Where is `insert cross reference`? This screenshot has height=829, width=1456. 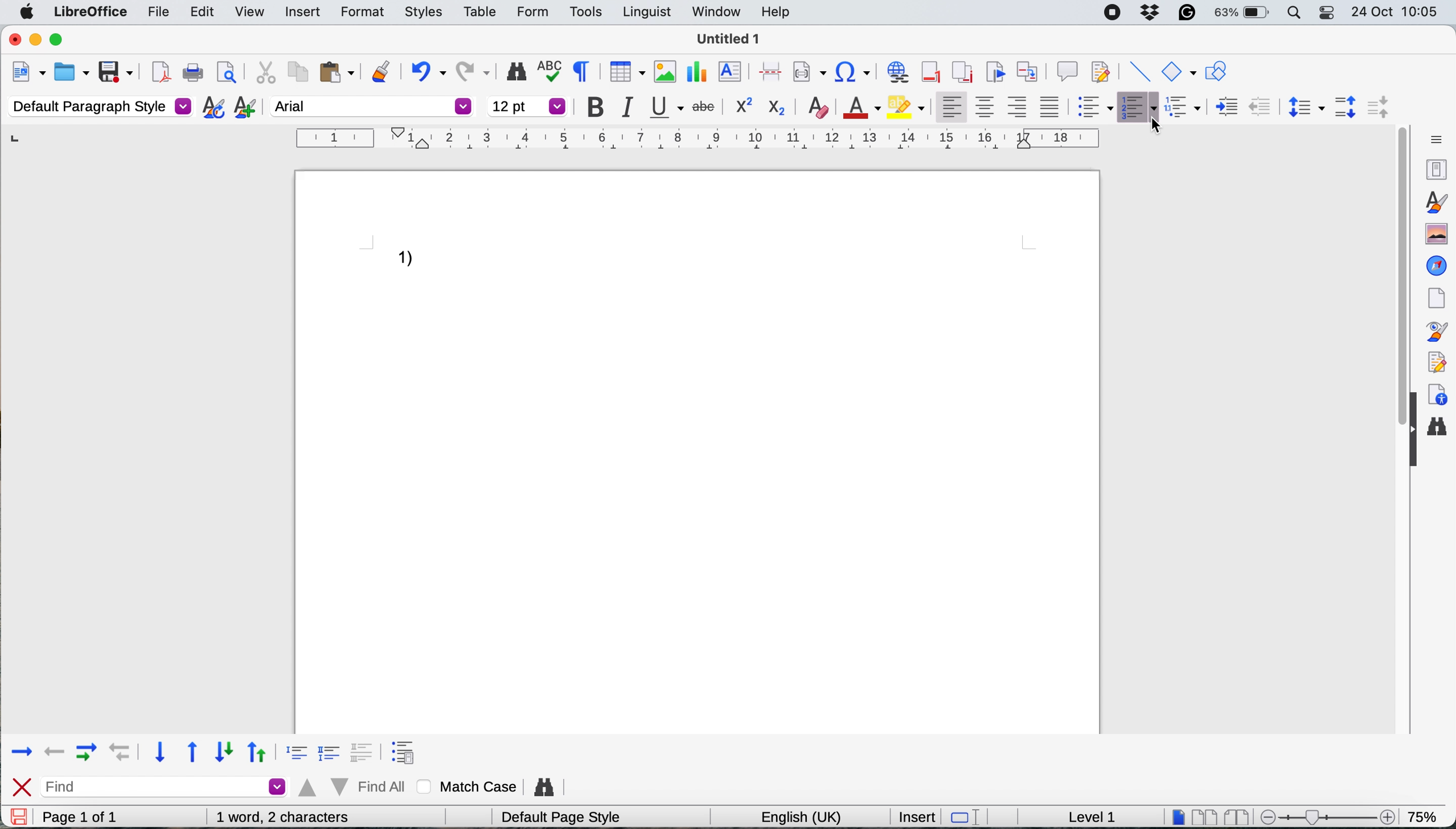 insert cross reference is located at coordinates (1030, 69).